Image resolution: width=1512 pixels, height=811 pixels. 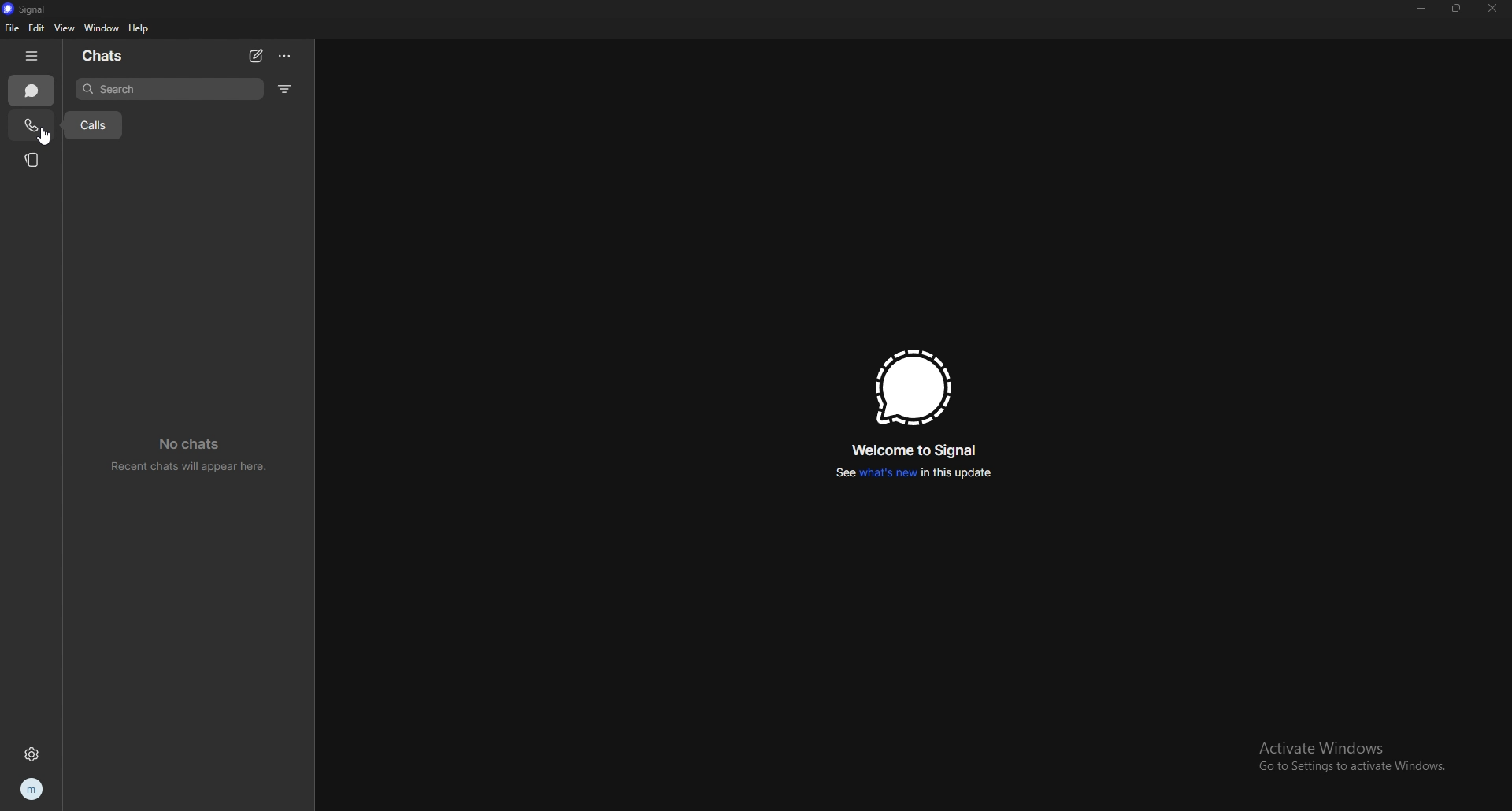 What do you see at coordinates (32, 160) in the screenshot?
I see `stories` at bounding box center [32, 160].